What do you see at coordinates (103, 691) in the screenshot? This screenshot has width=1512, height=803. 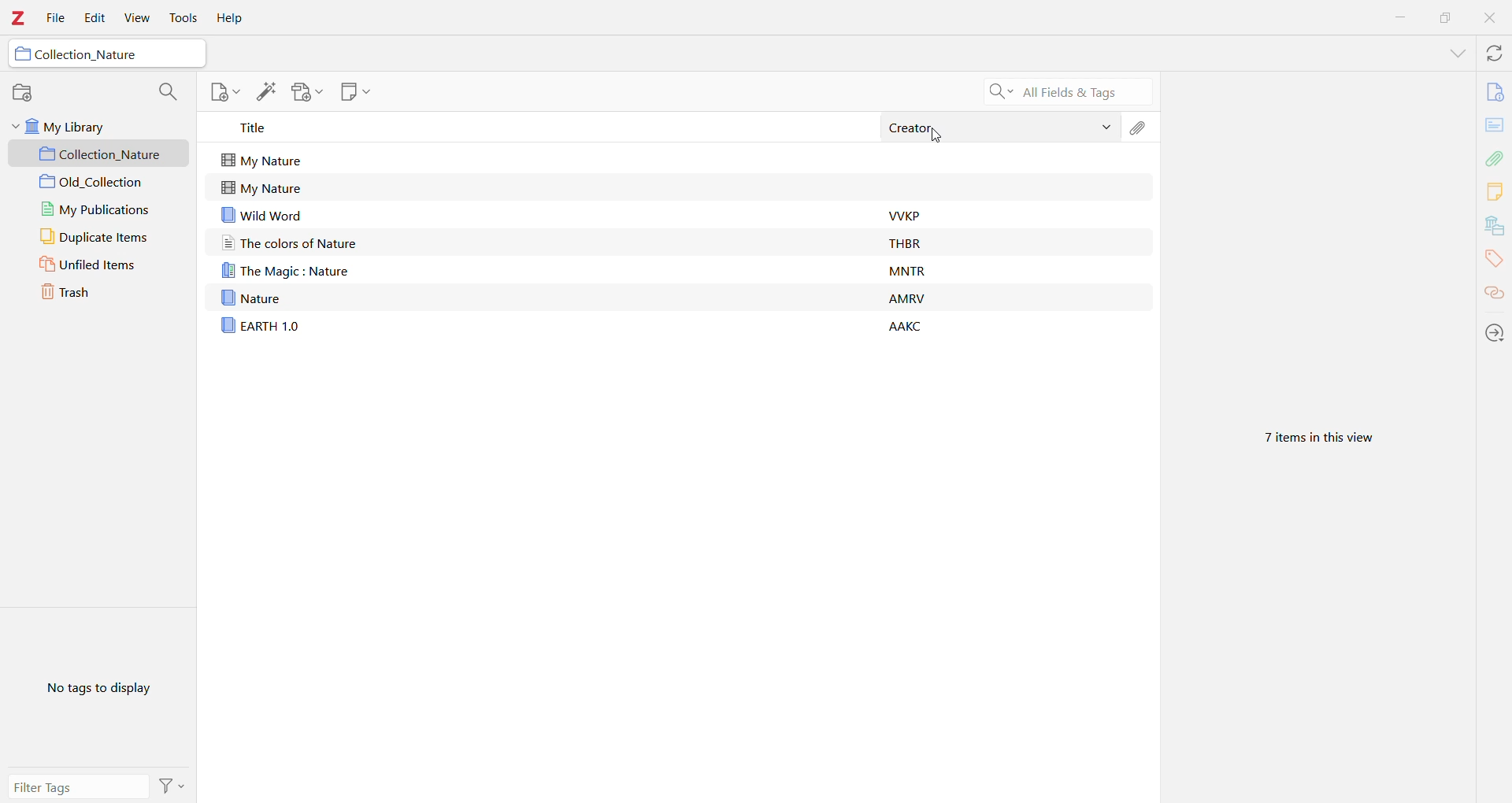 I see `No tags to display` at bounding box center [103, 691].